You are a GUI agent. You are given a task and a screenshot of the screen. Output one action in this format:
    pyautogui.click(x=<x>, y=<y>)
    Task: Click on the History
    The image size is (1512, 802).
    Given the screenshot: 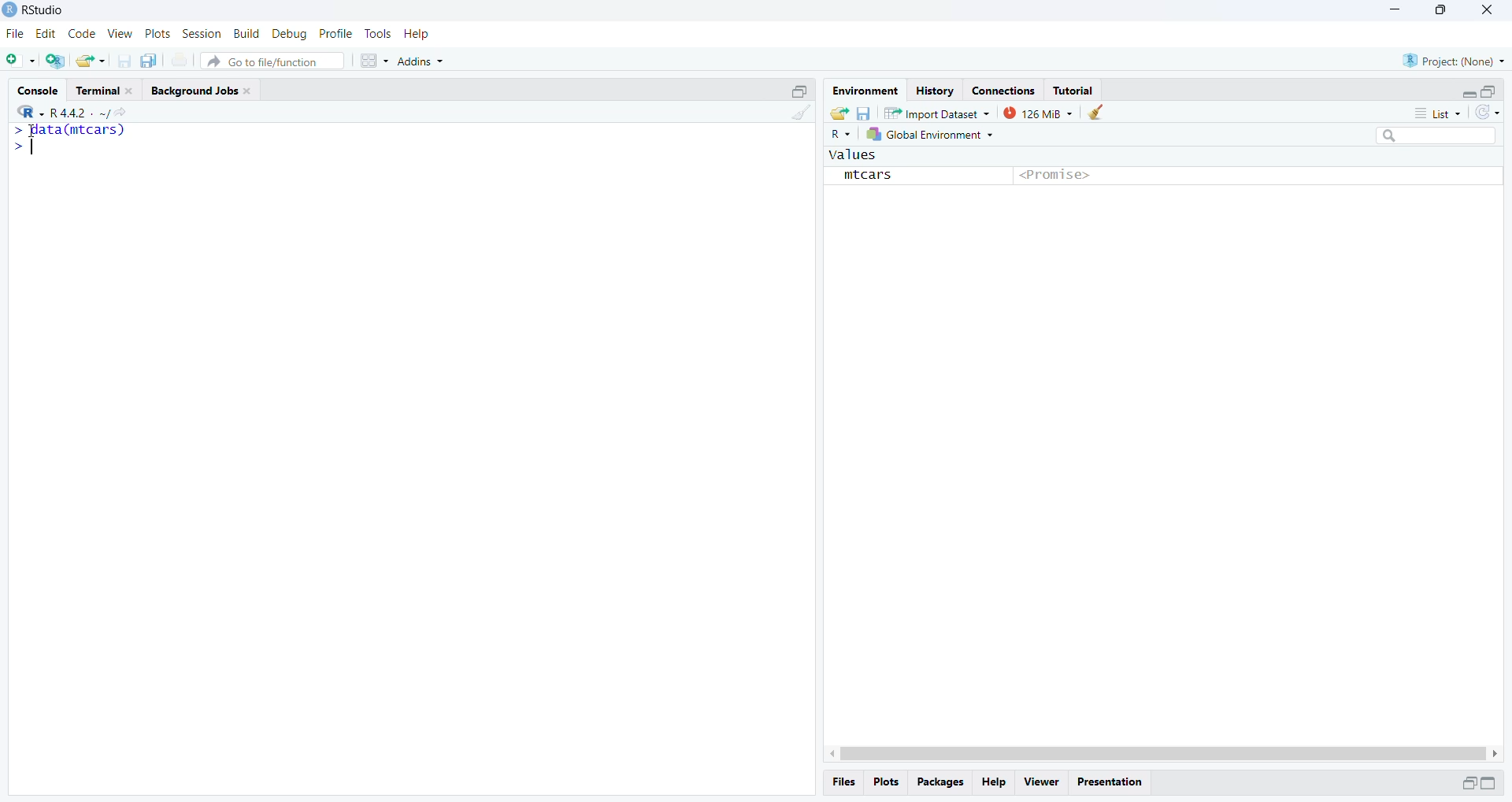 What is the action you would take?
    pyautogui.click(x=934, y=89)
    